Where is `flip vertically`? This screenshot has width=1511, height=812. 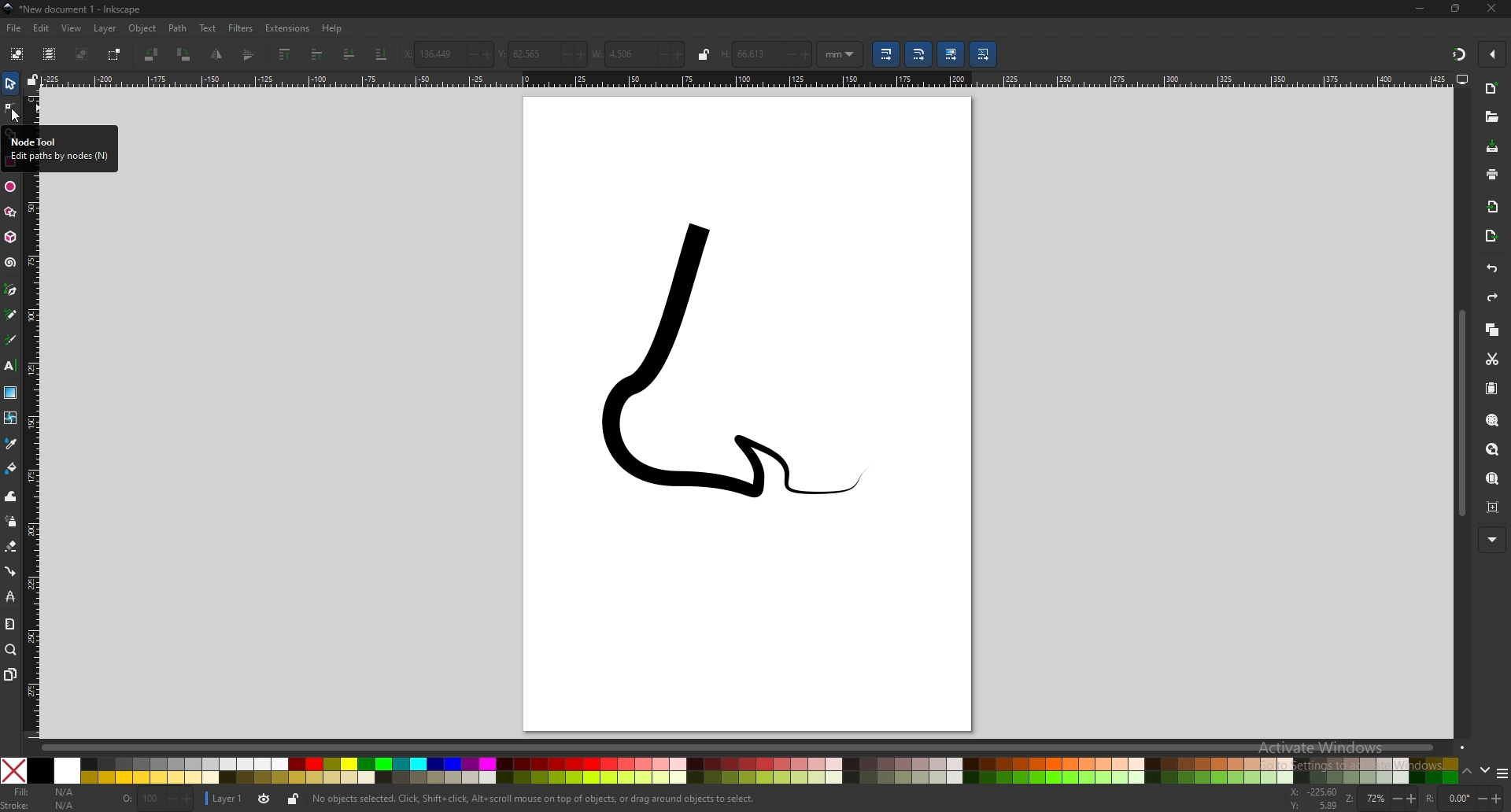
flip vertically is located at coordinates (217, 54).